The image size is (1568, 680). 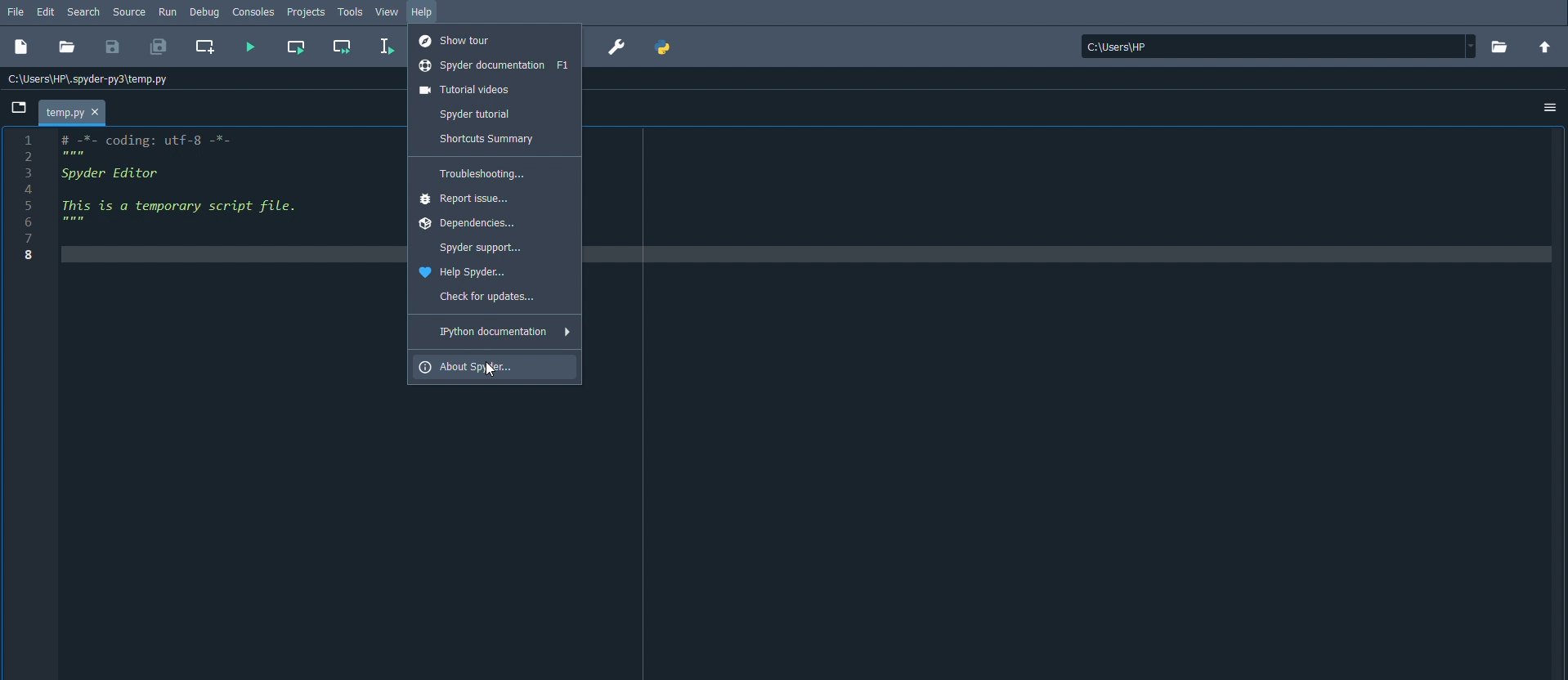 I want to click on Spyder documentation, so click(x=494, y=64).